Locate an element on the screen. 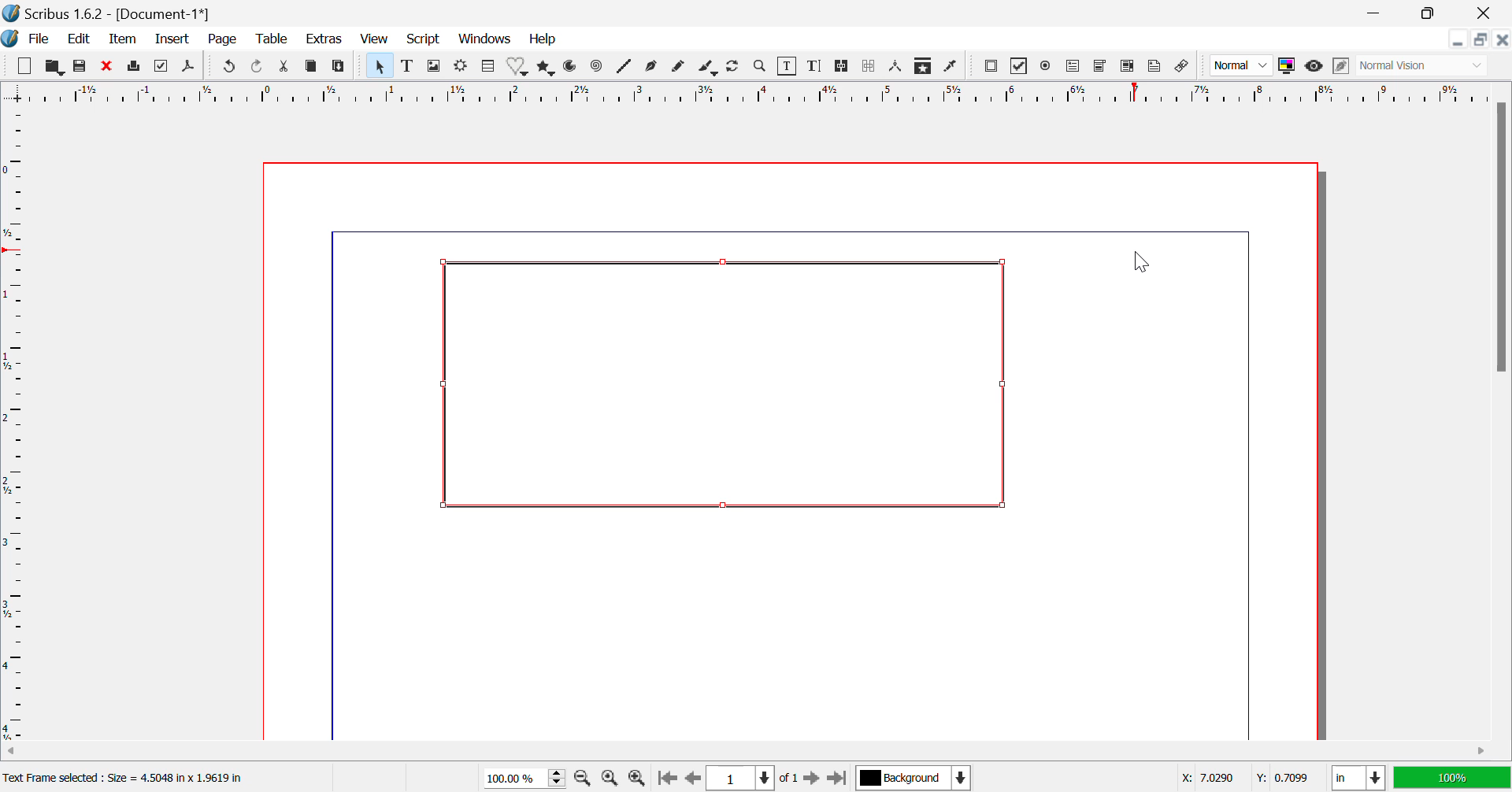  Link Text Frames is located at coordinates (839, 68).